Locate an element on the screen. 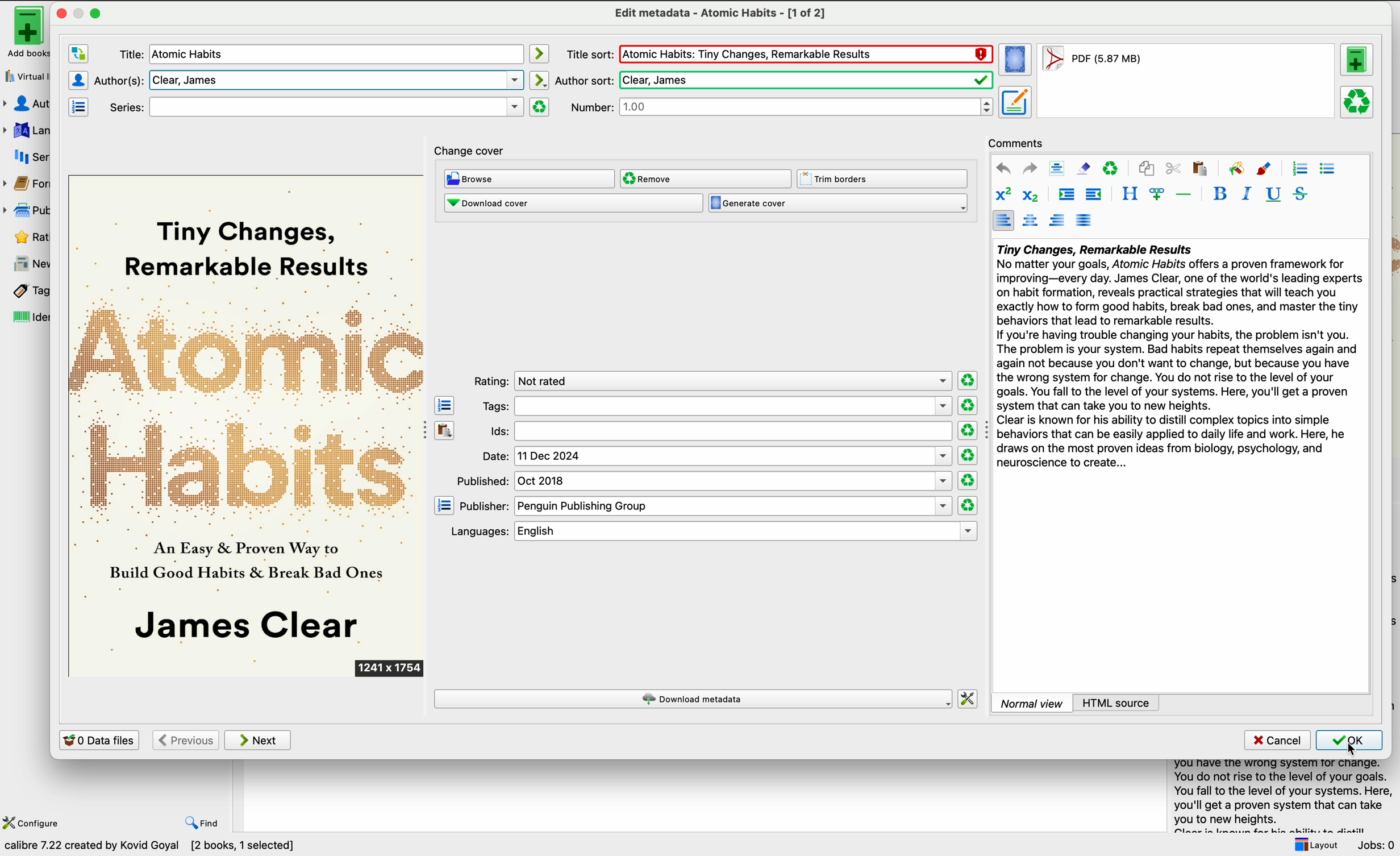 The width and height of the screenshot is (1400, 856). paste the contents of the clipboard is located at coordinates (445, 429).